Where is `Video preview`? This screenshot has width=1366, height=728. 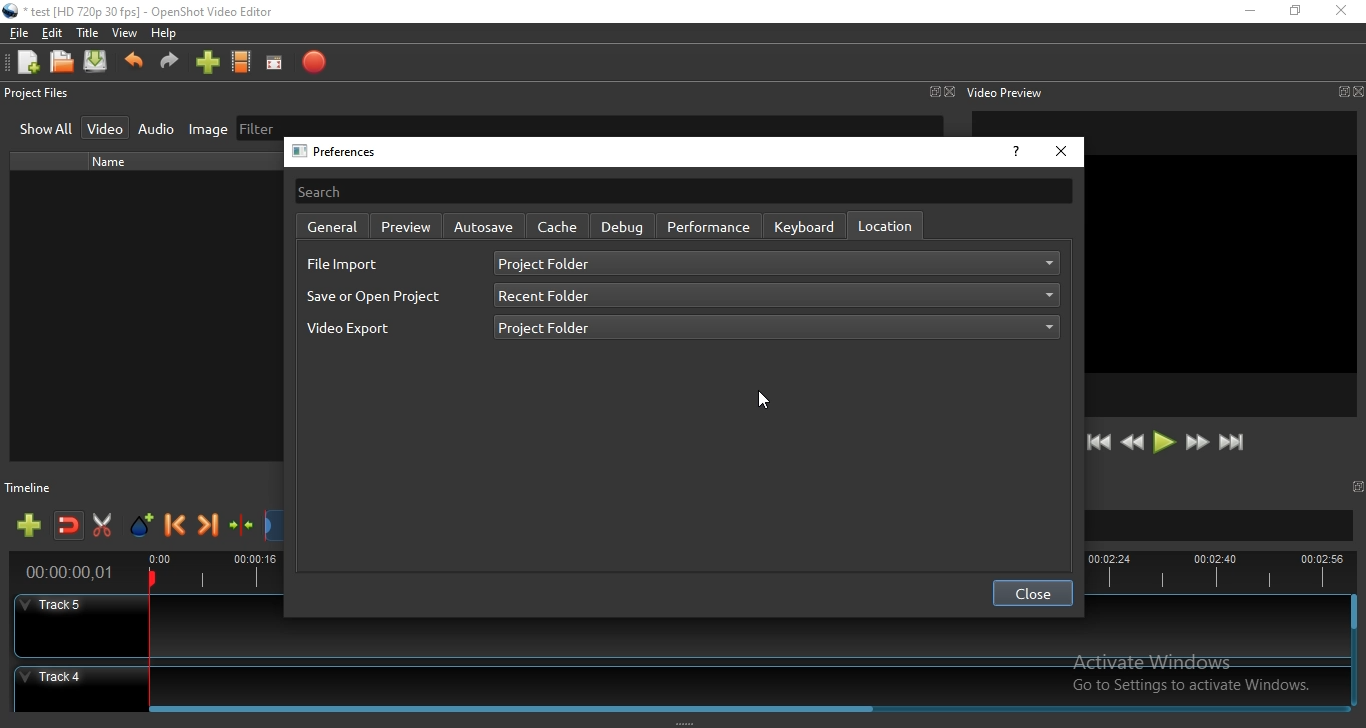
Video preview is located at coordinates (1005, 92).